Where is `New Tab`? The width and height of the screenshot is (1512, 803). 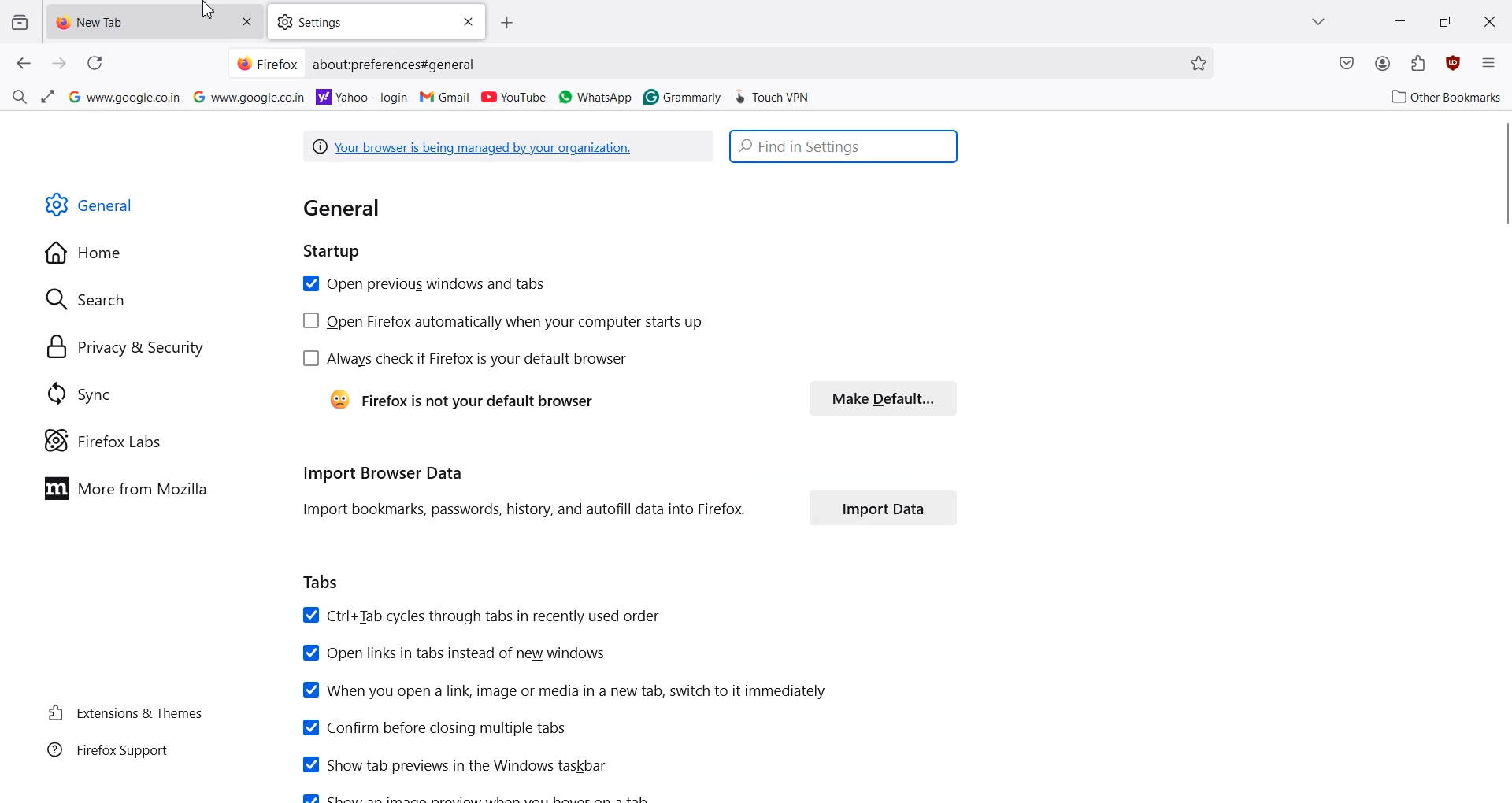 New Tab is located at coordinates (134, 24).